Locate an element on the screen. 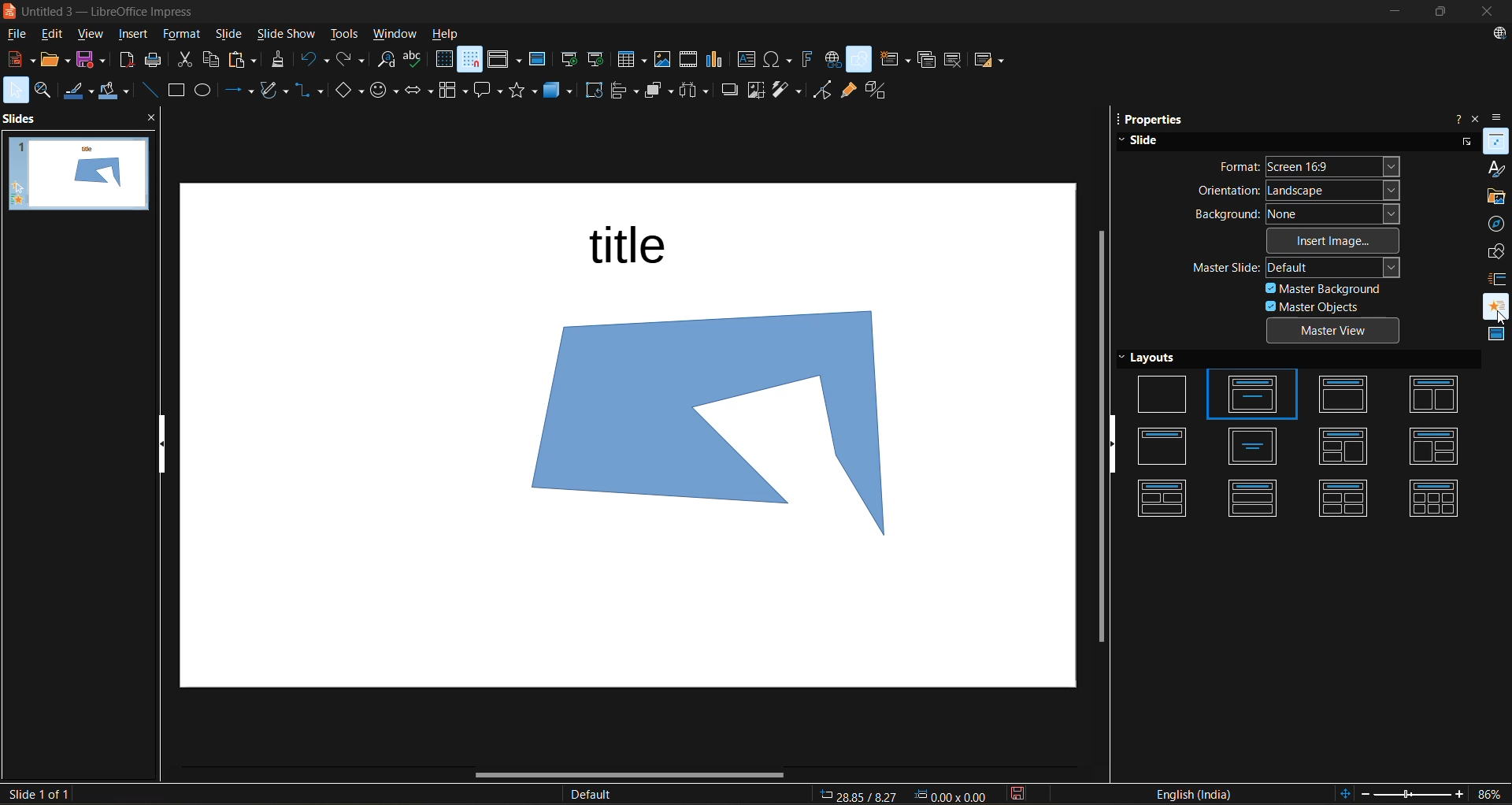 The image size is (1512, 805). slide transition is located at coordinates (1495, 276).